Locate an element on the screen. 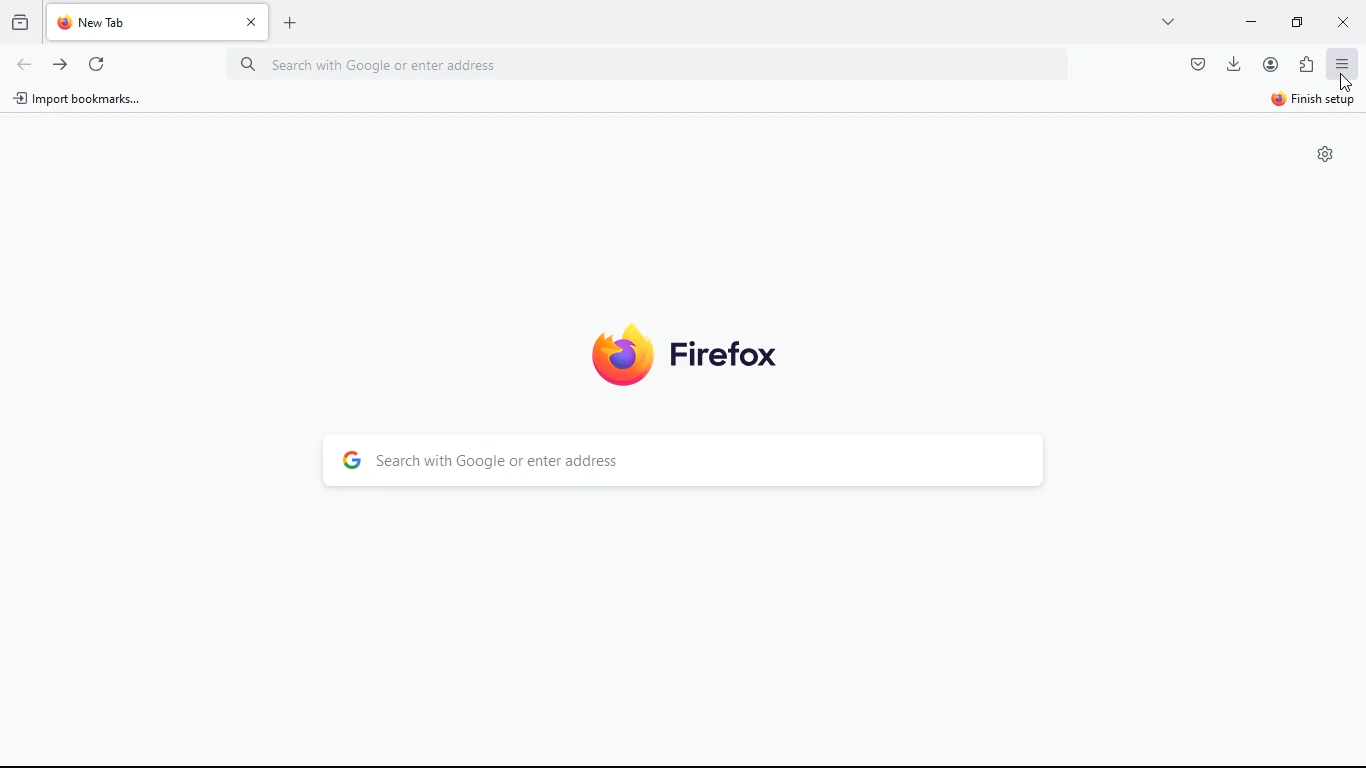  extentions is located at coordinates (1303, 65).